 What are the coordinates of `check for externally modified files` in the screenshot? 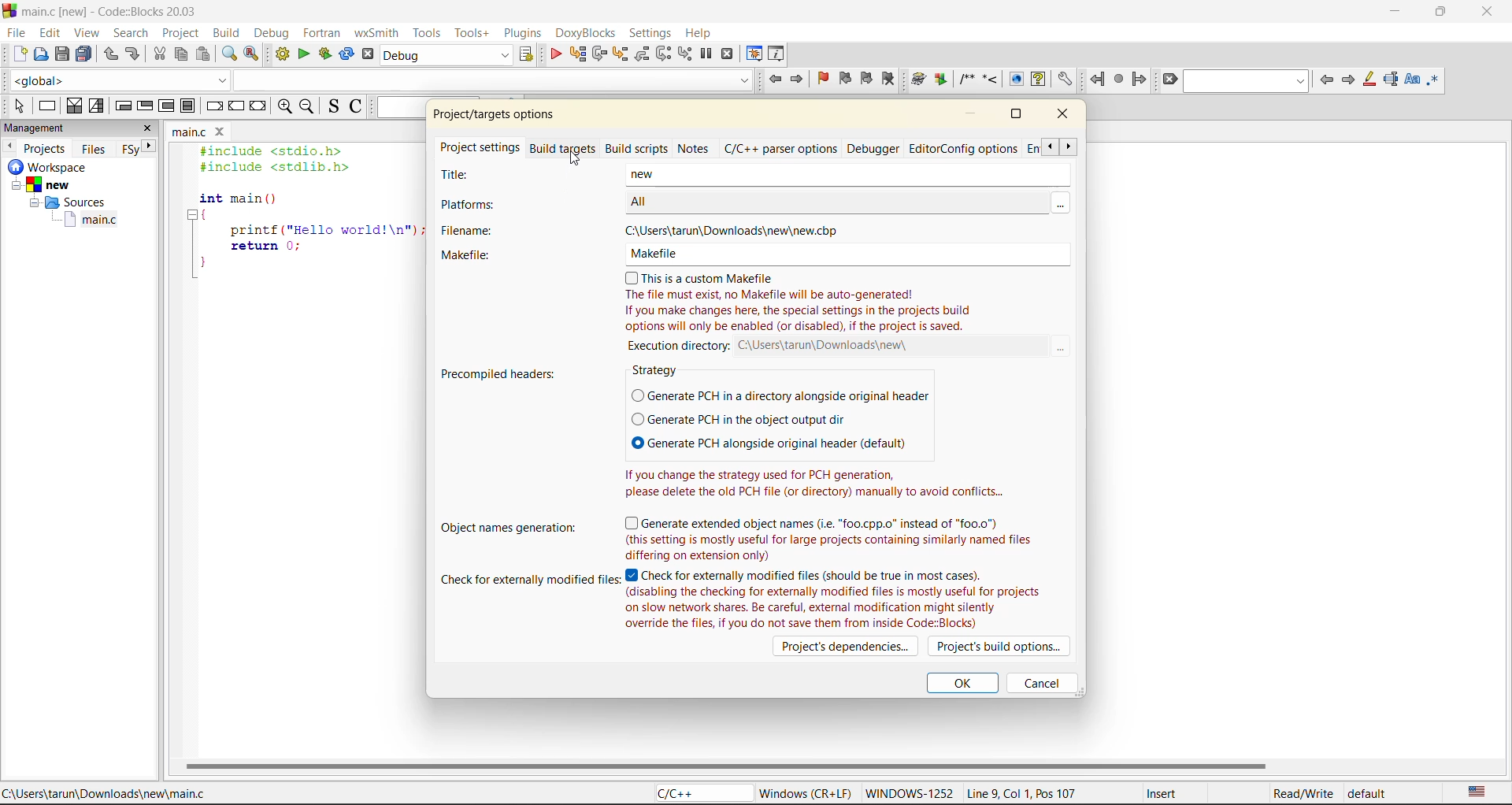 It's located at (527, 582).